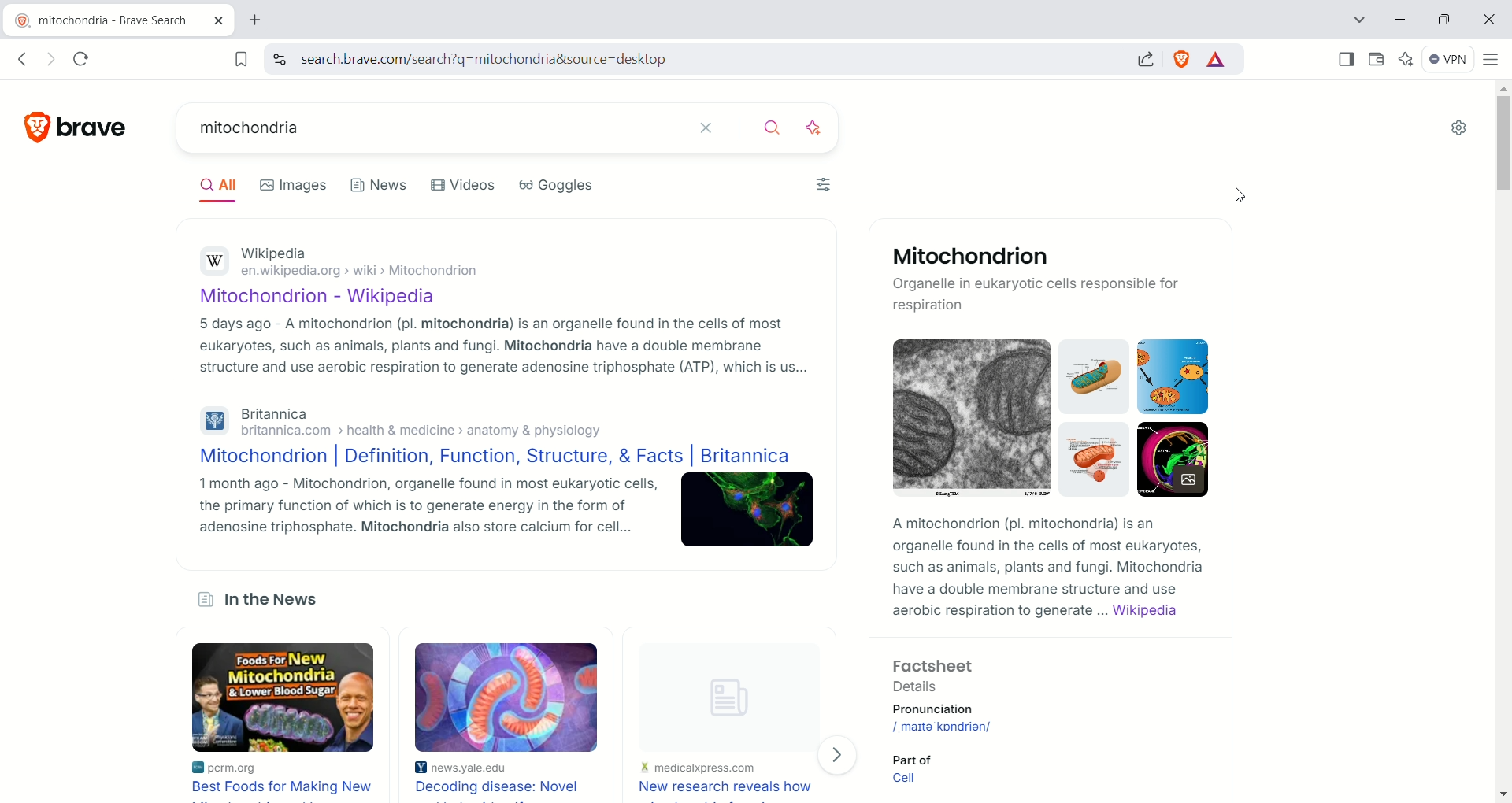 This screenshot has height=803, width=1512. I want to click on leo AI, so click(1407, 61).